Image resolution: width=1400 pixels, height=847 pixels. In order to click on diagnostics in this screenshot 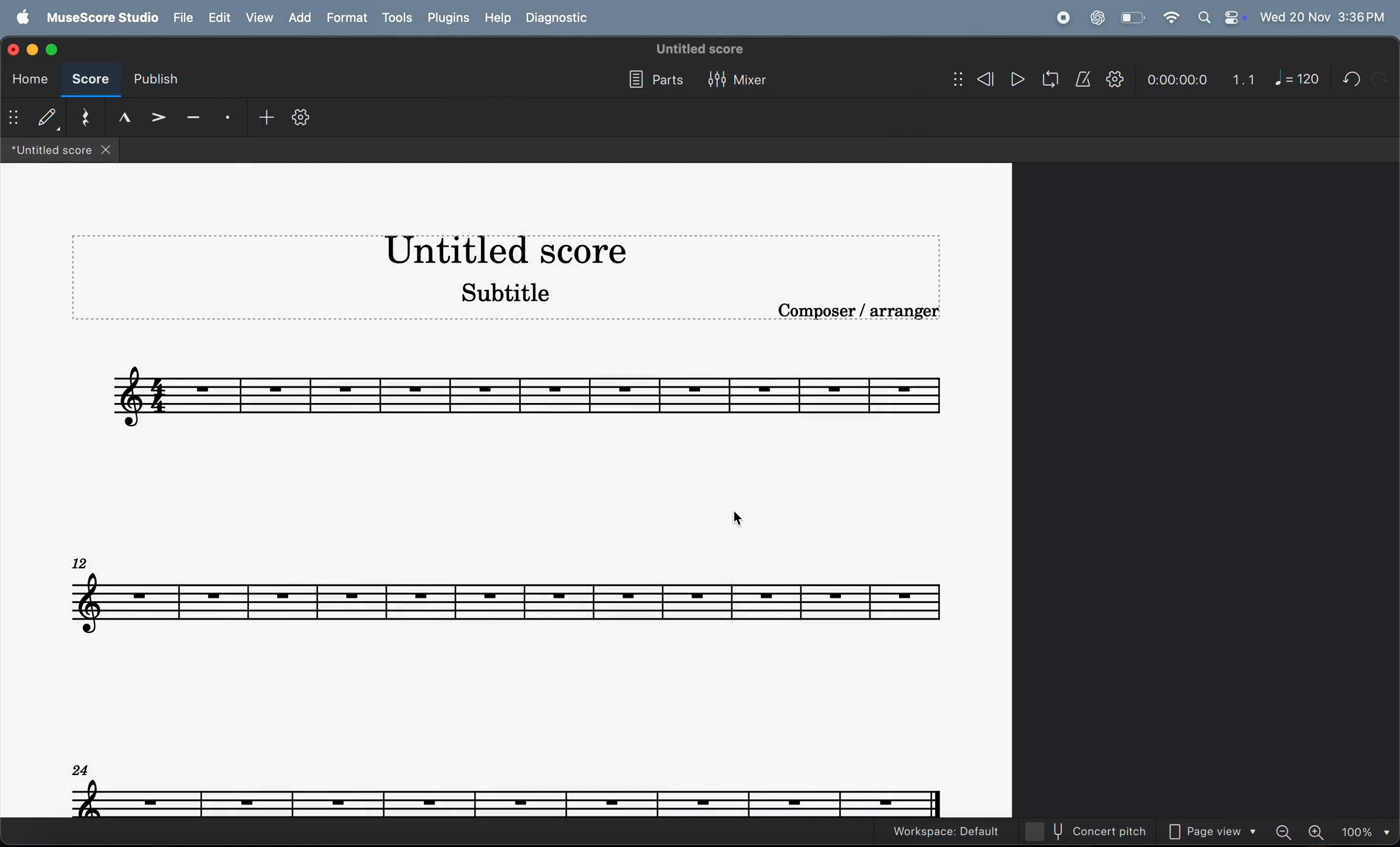, I will do `click(560, 19)`.